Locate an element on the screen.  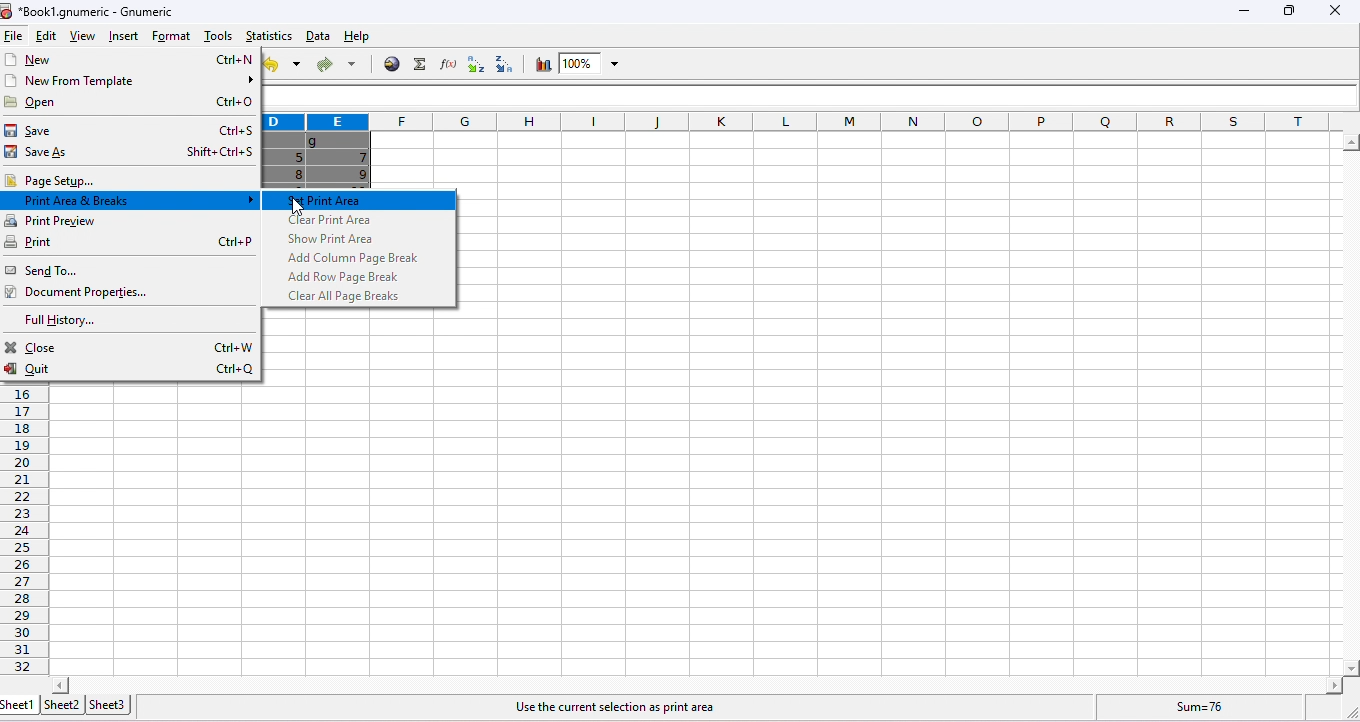
save is located at coordinates (133, 130).